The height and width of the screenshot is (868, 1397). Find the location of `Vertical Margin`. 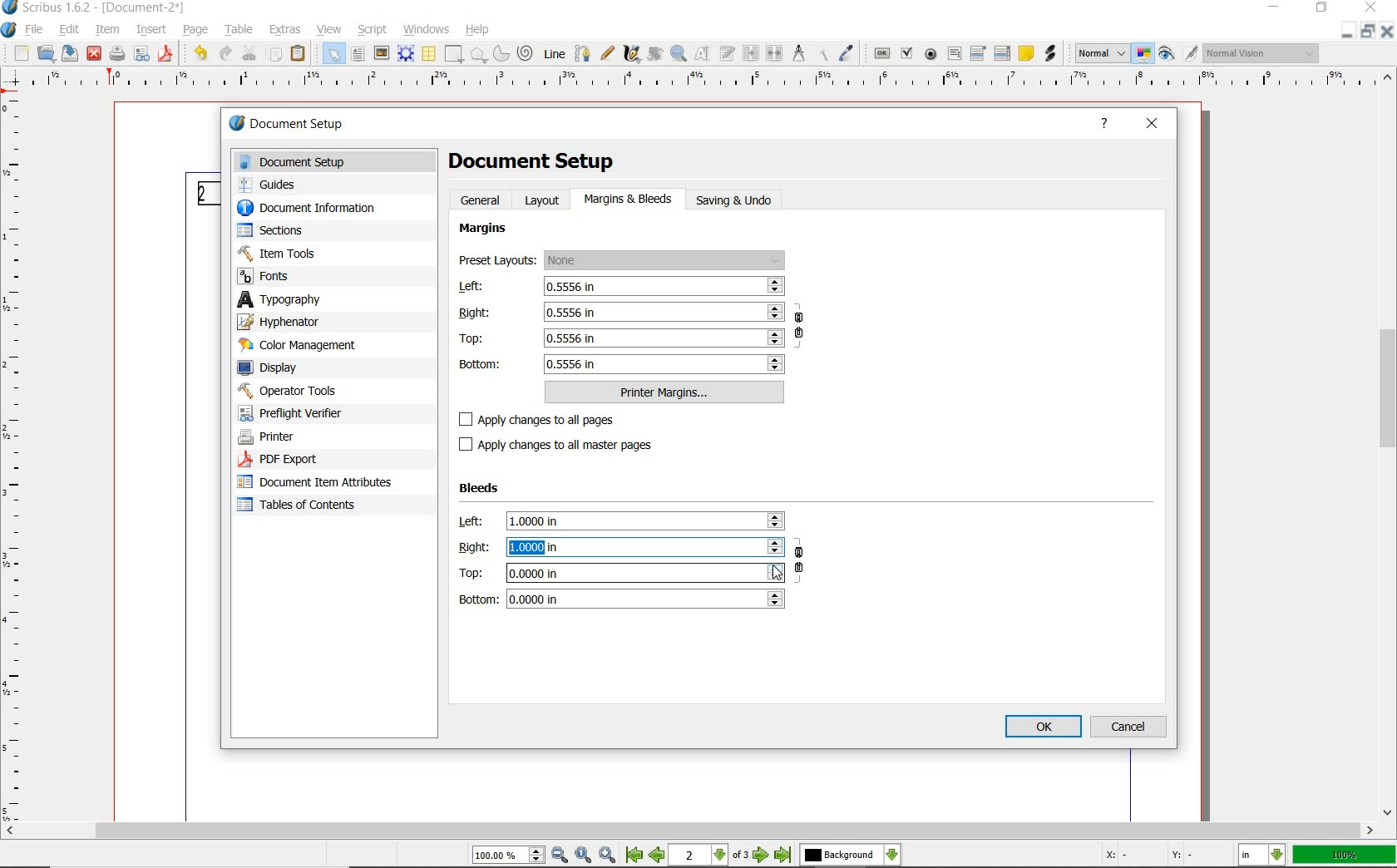

Vertical Margin is located at coordinates (16, 459).